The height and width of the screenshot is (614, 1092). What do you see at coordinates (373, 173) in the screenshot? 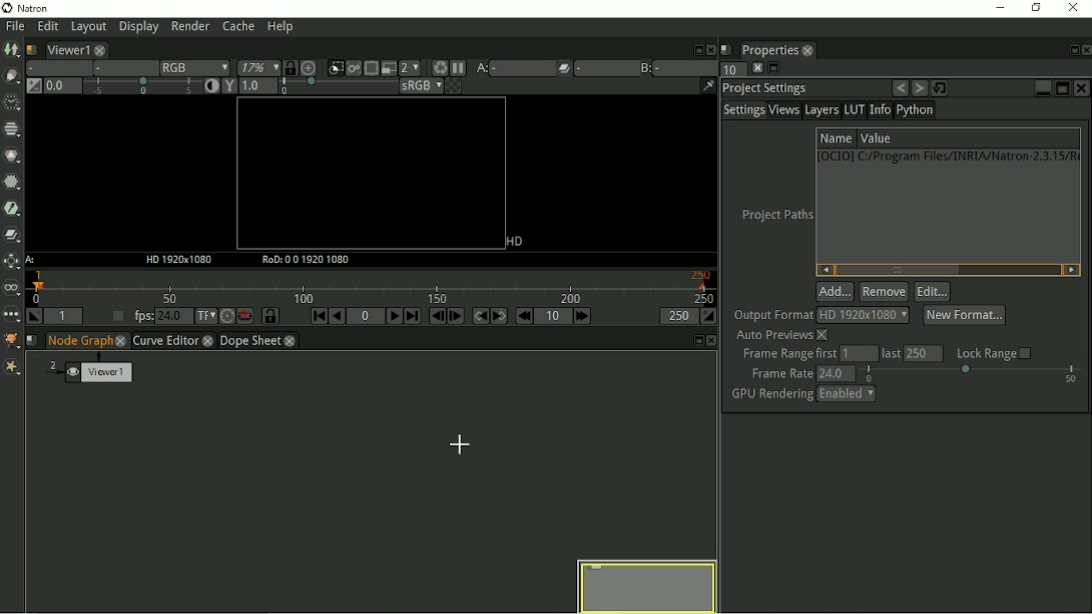
I see `Canvas` at bounding box center [373, 173].